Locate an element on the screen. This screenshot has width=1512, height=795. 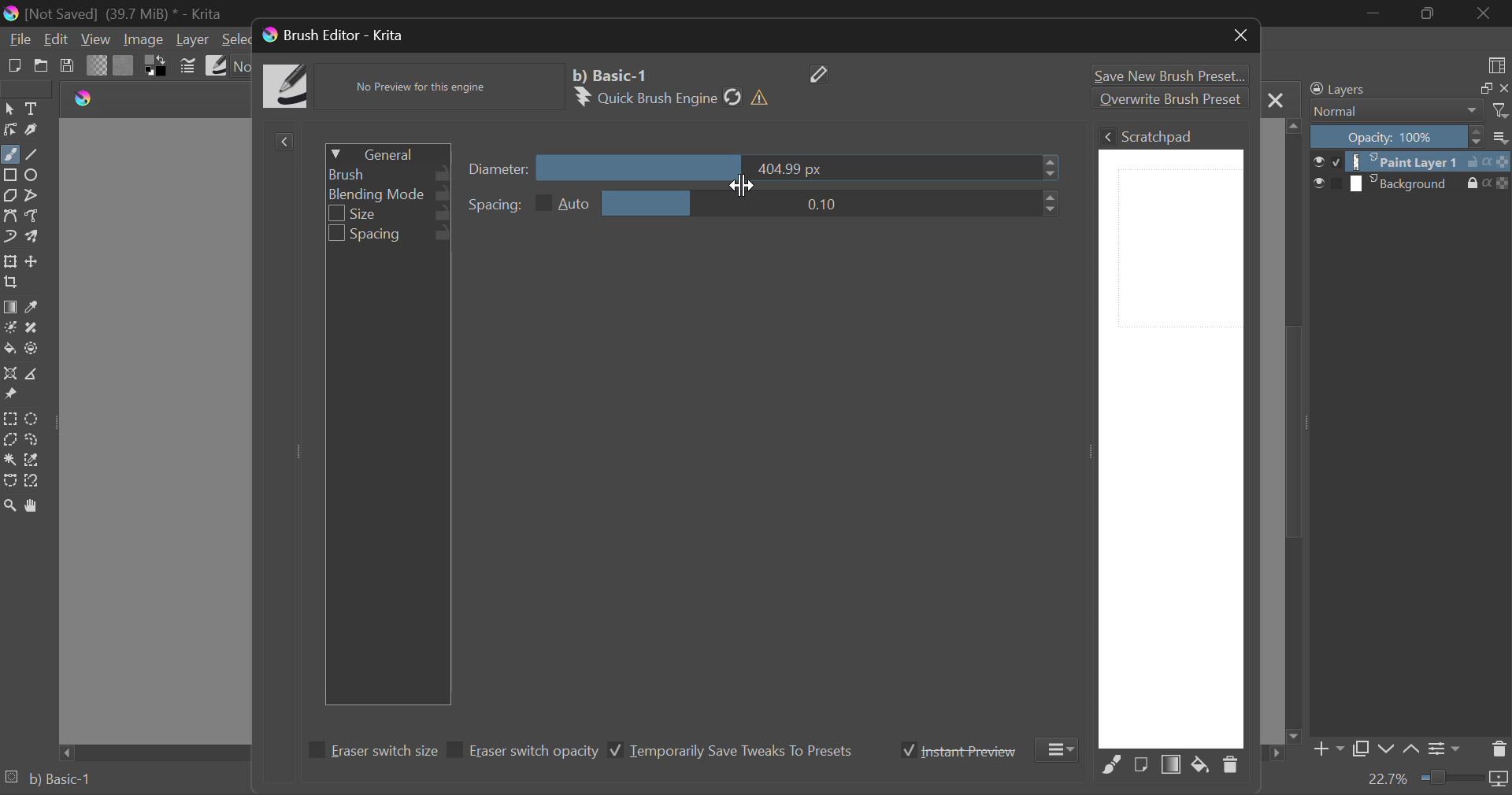
Eraser switch size is located at coordinates (370, 752).